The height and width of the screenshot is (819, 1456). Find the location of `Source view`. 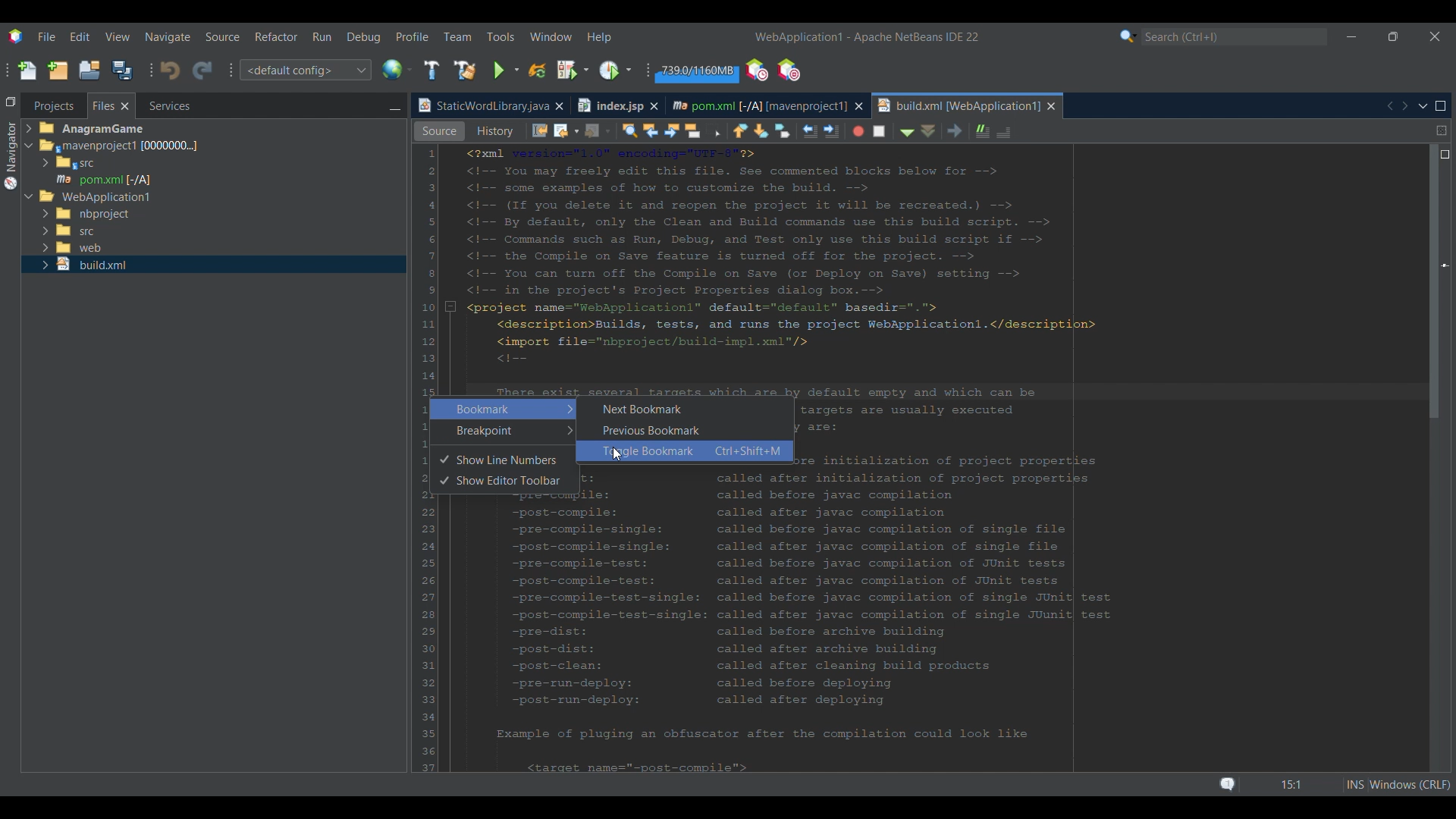

Source view is located at coordinates (439, 131).